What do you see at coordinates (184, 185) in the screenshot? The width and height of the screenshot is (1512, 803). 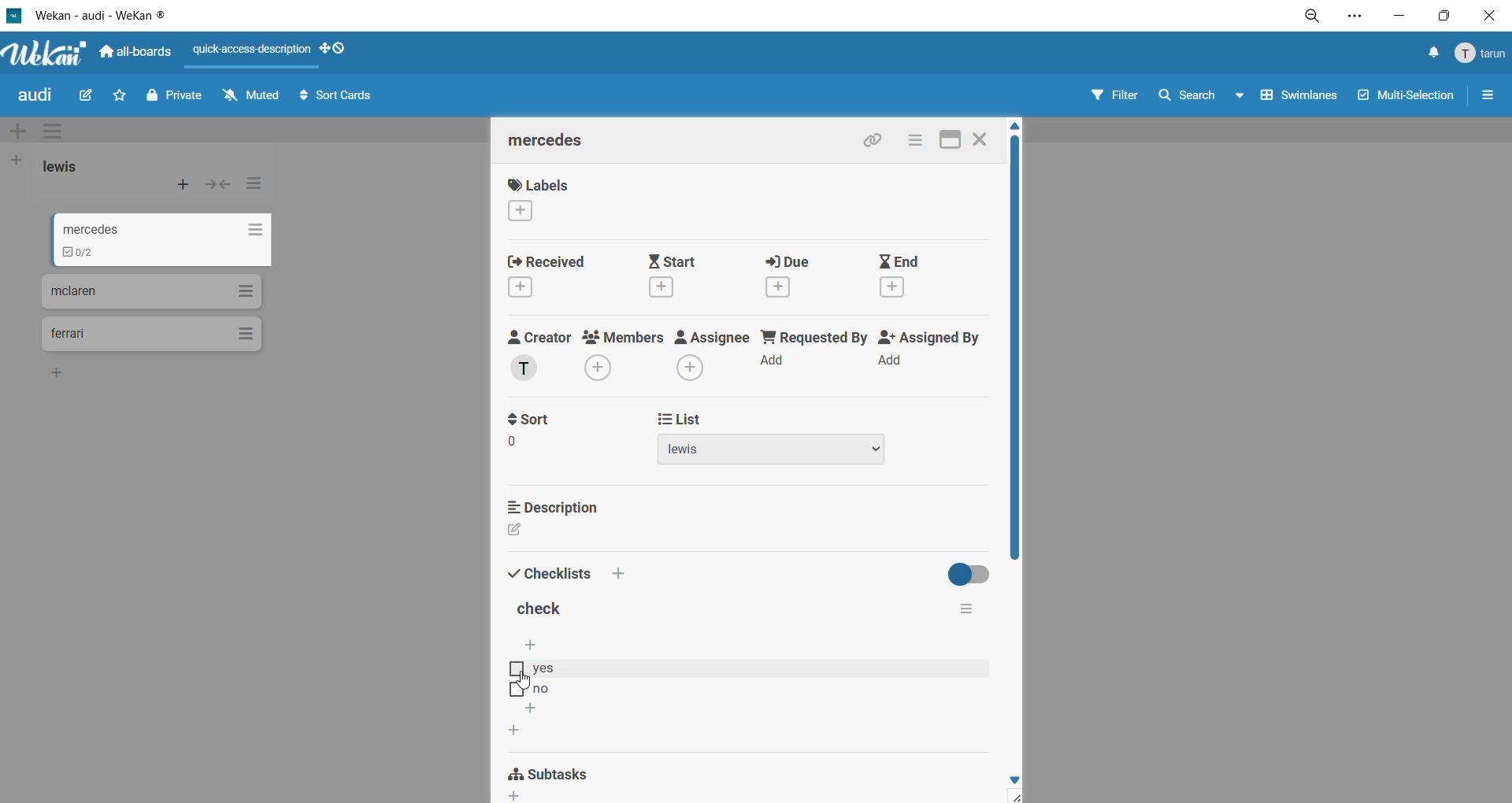 I see `add card` at bounding box center [184, 185].